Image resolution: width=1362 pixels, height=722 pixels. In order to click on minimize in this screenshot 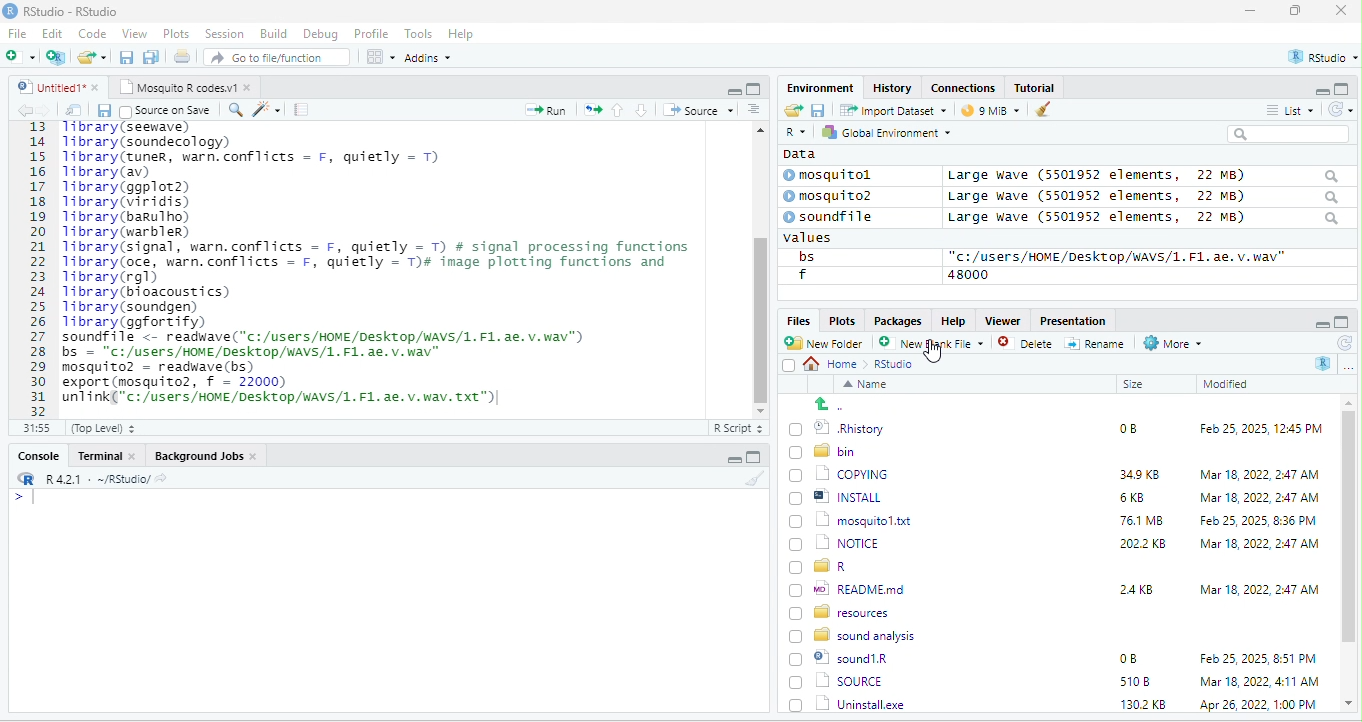, I will do `click(1250, 12)`.